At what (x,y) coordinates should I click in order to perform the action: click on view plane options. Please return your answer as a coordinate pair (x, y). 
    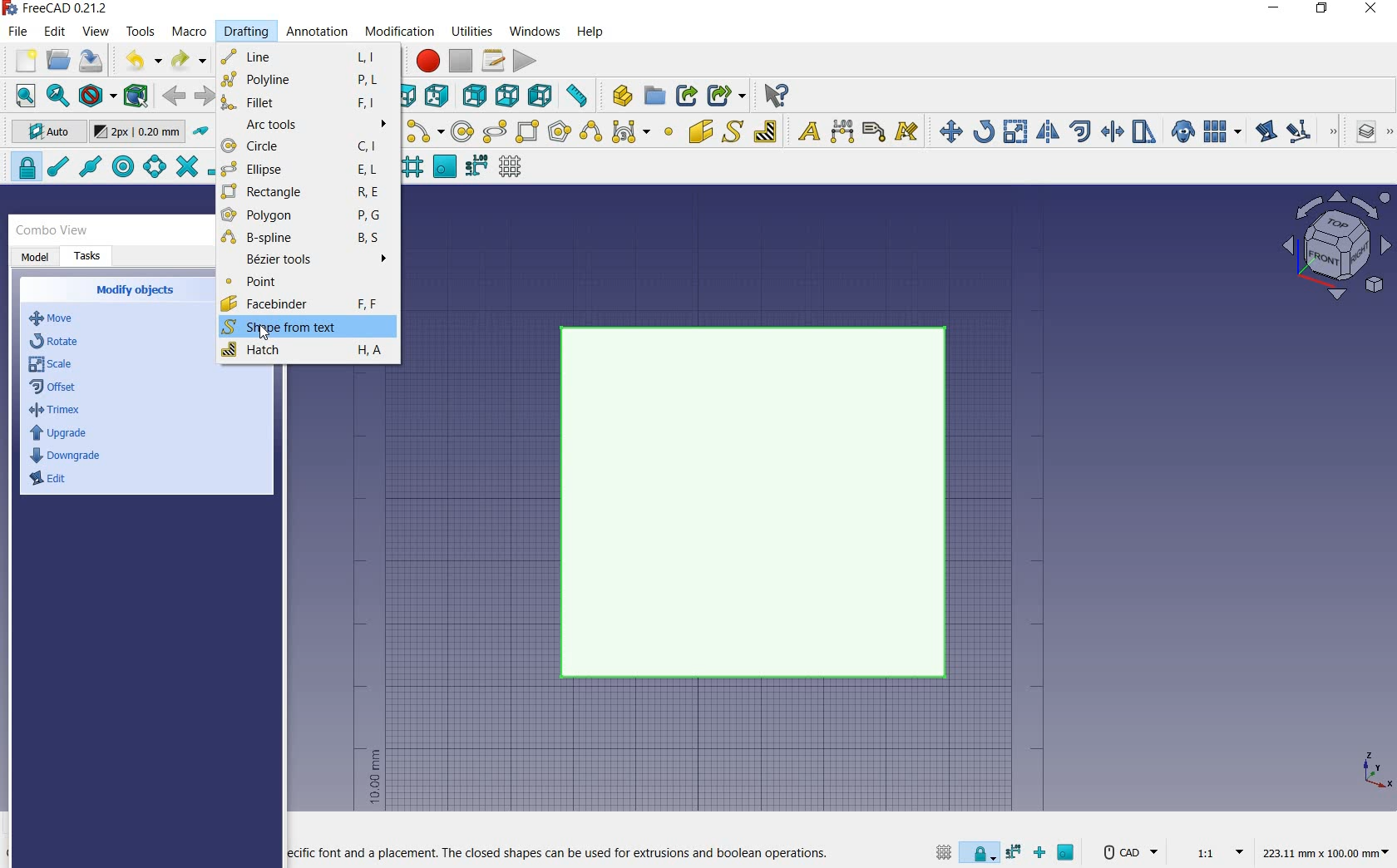
    Looking at the image, I should click on (1337, 248).